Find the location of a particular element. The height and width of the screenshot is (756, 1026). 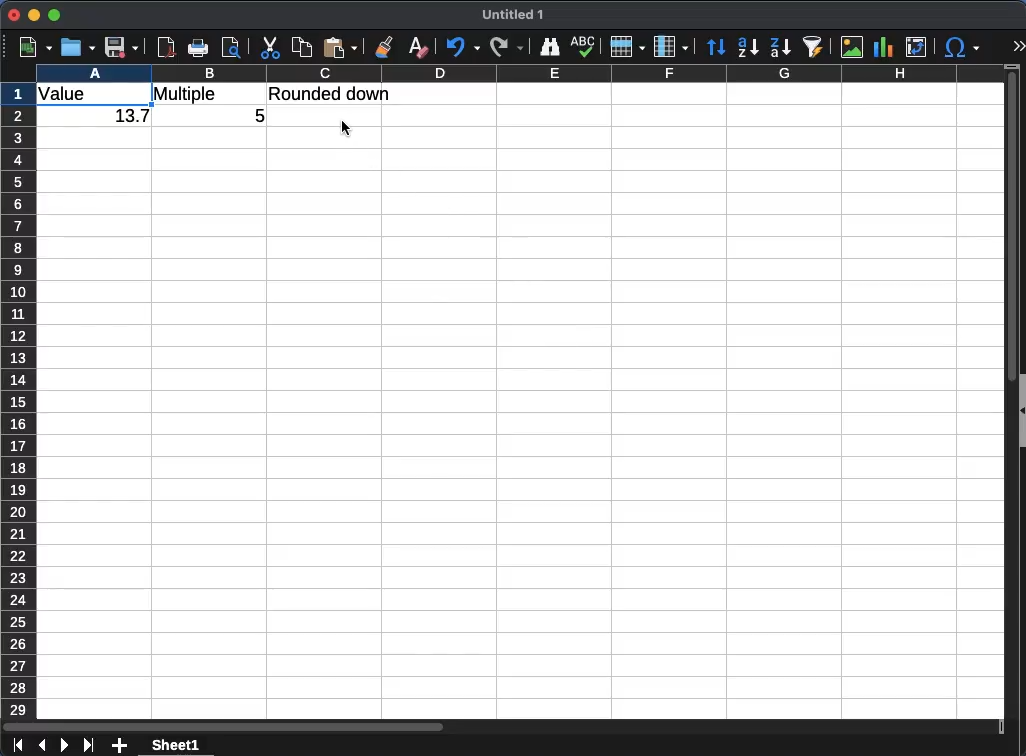

first sheet is located at coordinates (19, 746).